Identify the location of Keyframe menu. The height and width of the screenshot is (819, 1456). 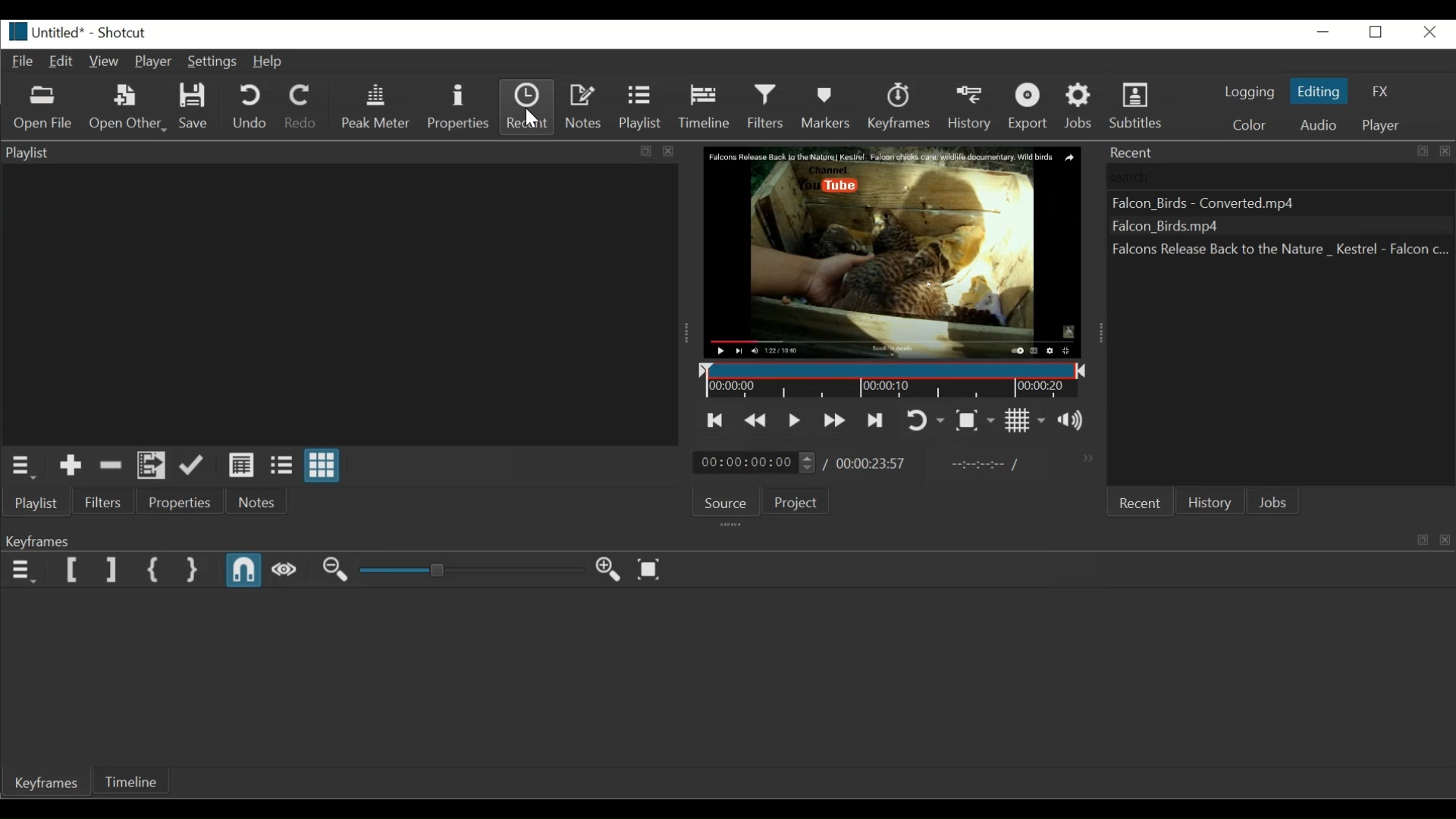
(22, 571).